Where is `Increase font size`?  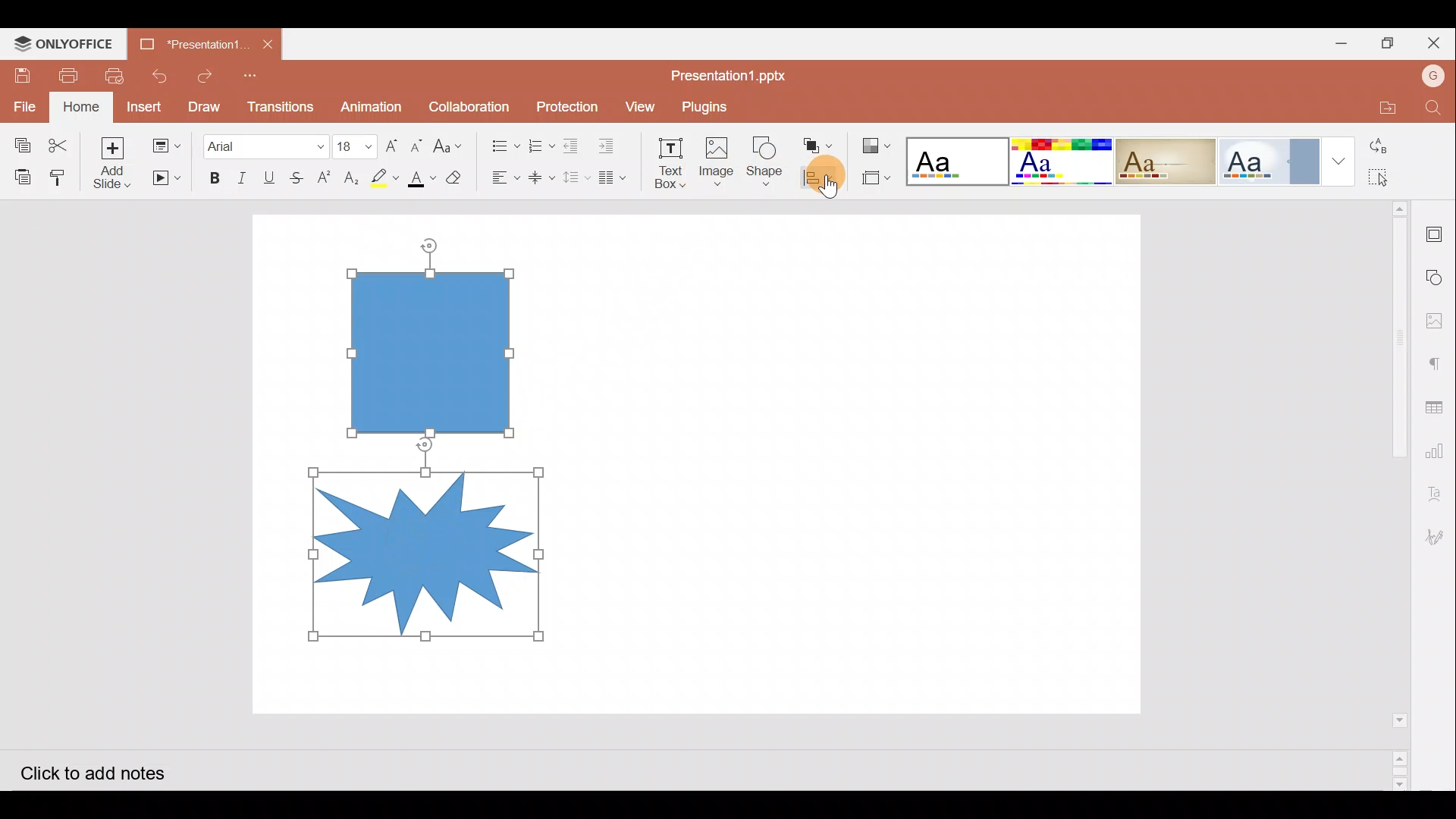 Increase font size is located at coordinates (390, 141).